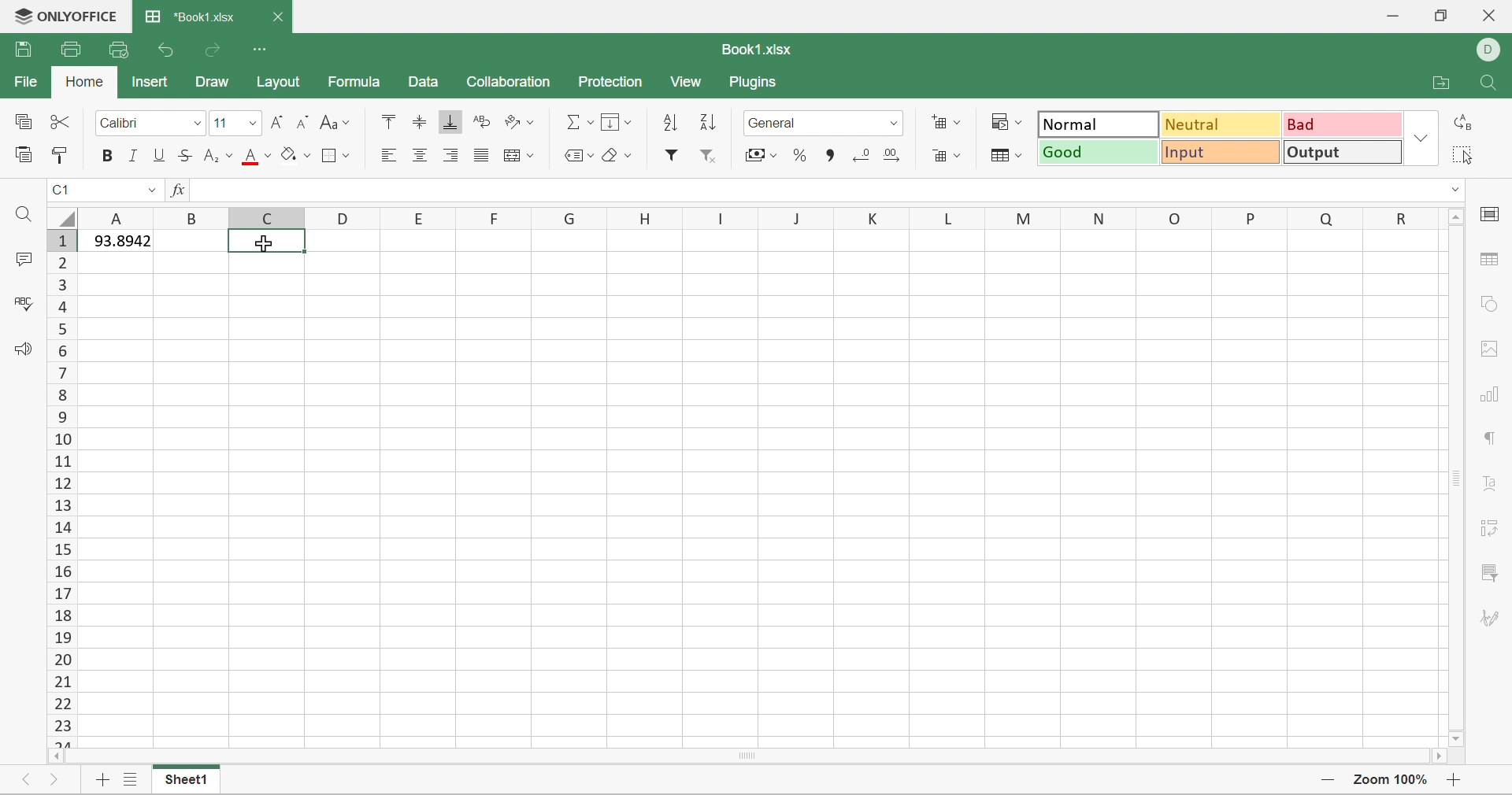  Describe the element at coordinates (1421, 138) in the screenshot. I see `Drop Down` at that location.